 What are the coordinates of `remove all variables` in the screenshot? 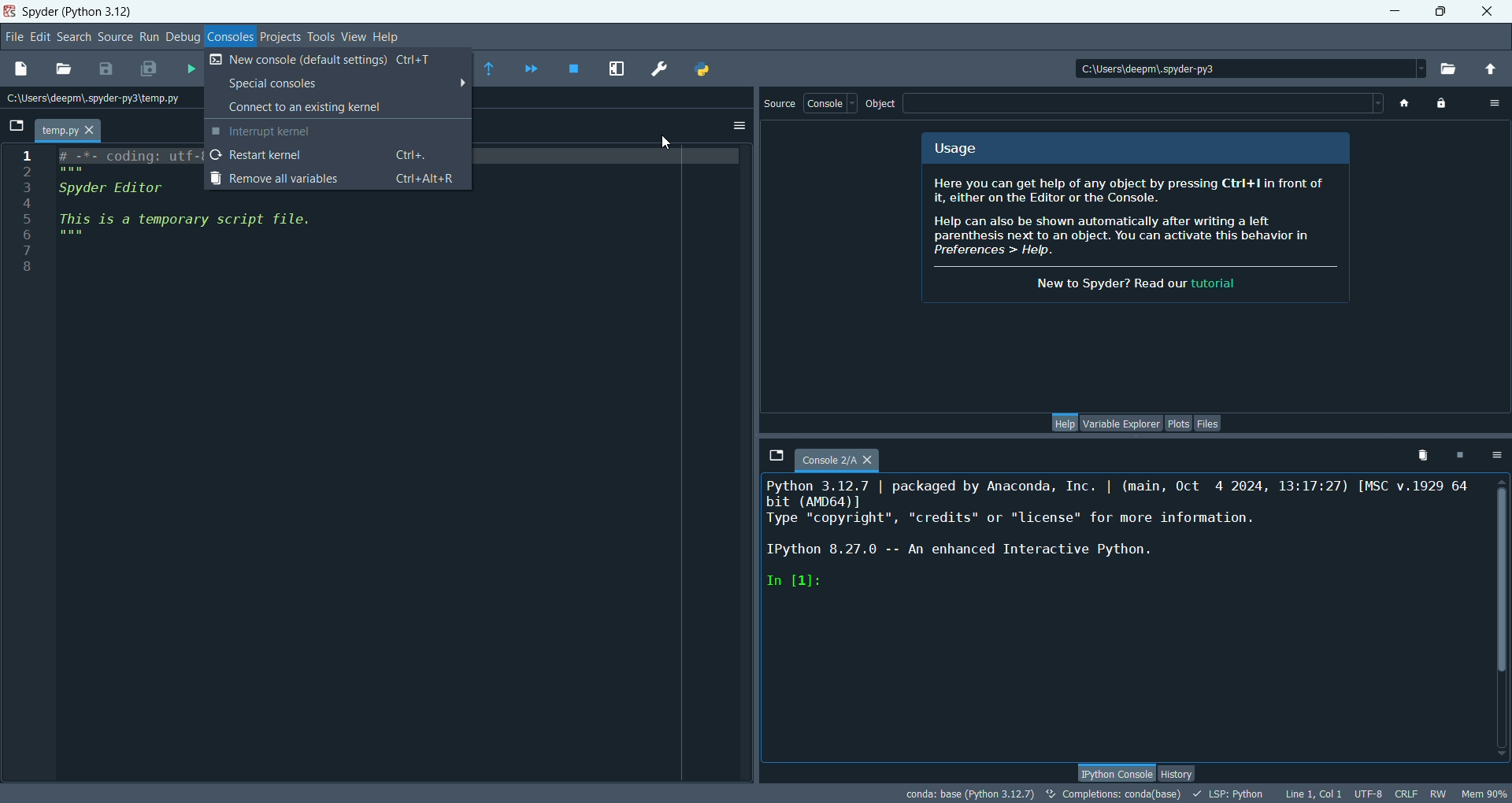 It's located at (333, 176).